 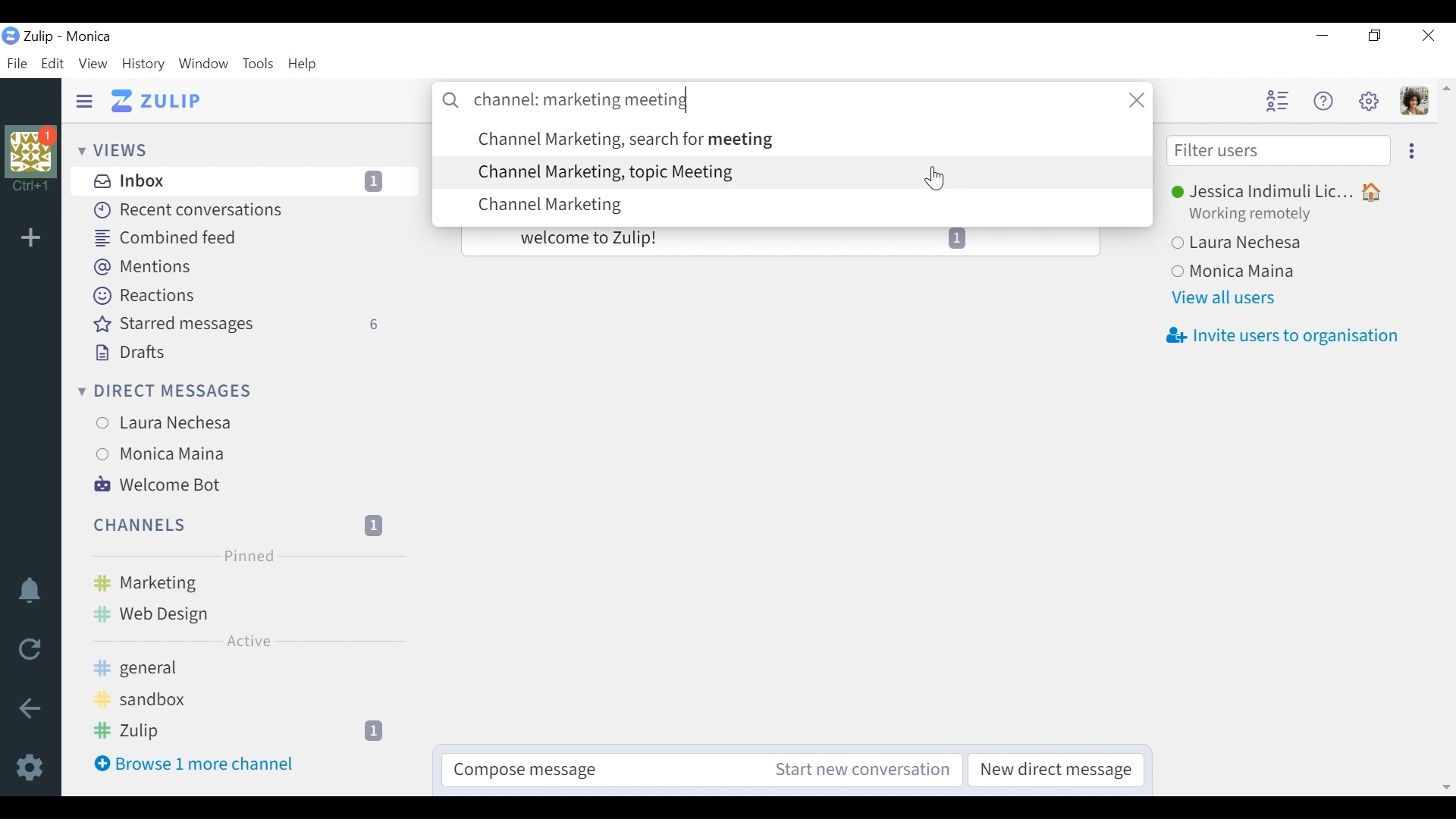 What do you see at coordinates (1280, 152) in the screenshot?
I see `Filter users` at bounding box center [1280, 152].